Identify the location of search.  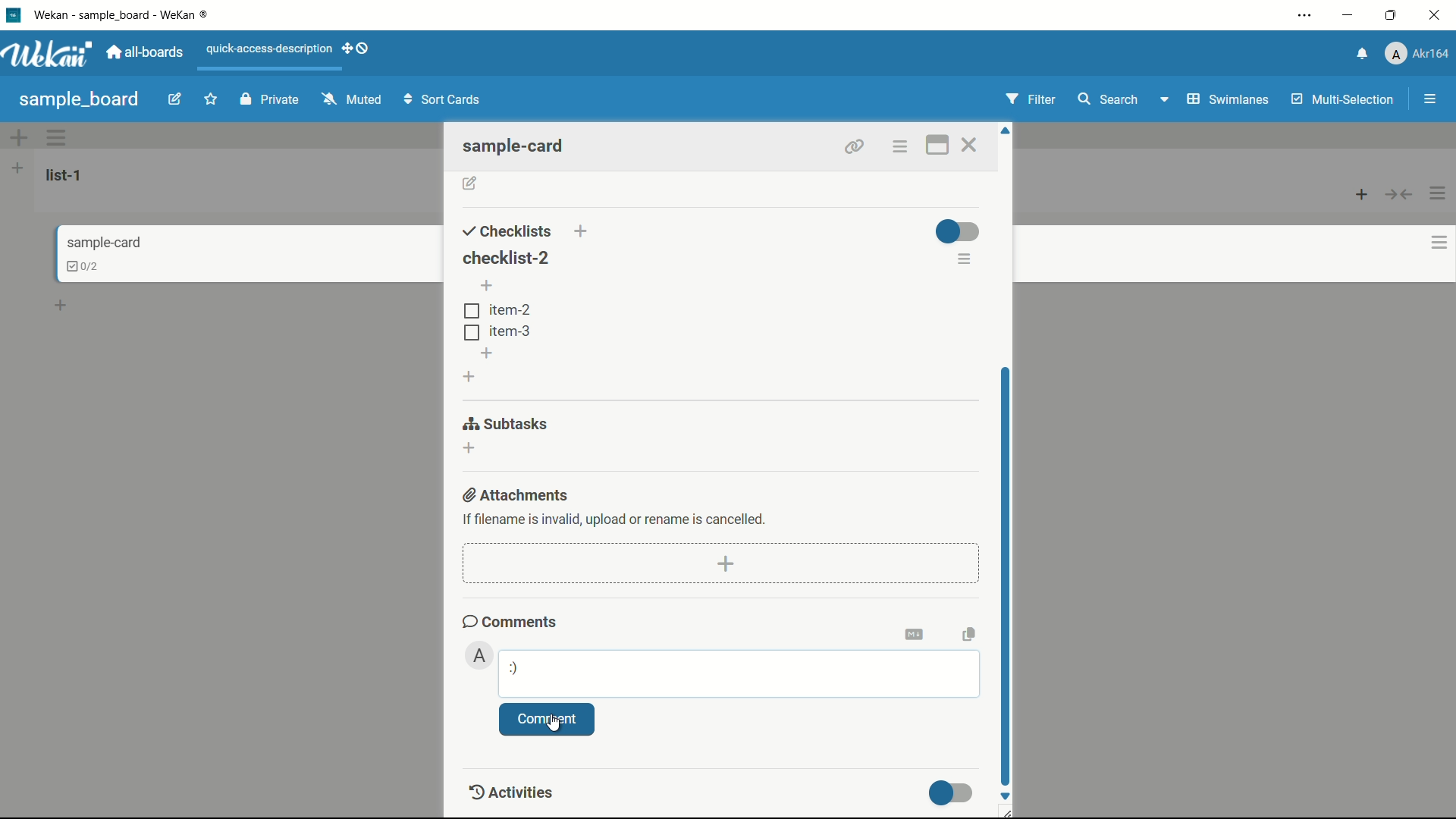
(1109, 99).